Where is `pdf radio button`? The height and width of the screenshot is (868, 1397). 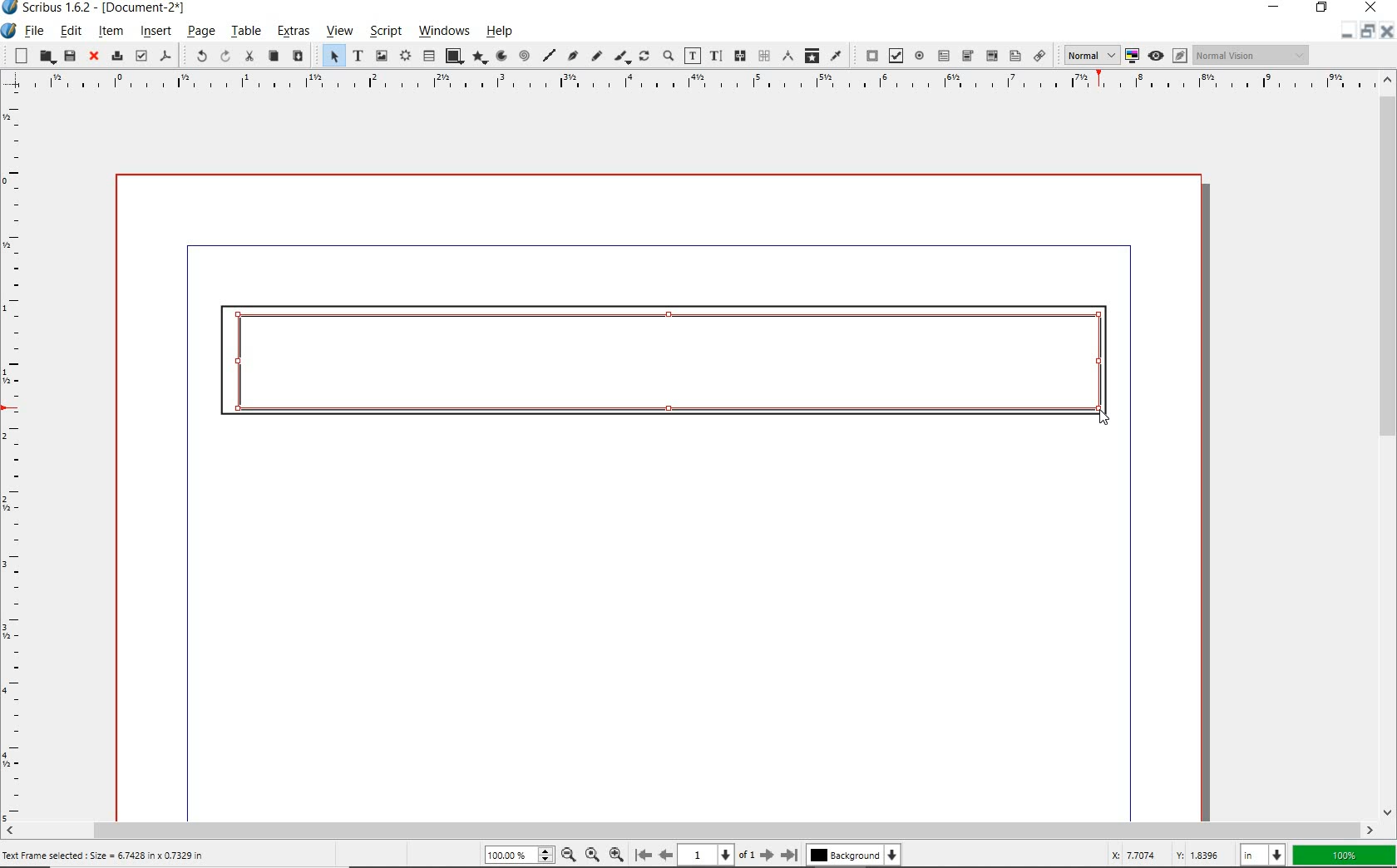
pdf radio button is located at coordinates (919, 56).